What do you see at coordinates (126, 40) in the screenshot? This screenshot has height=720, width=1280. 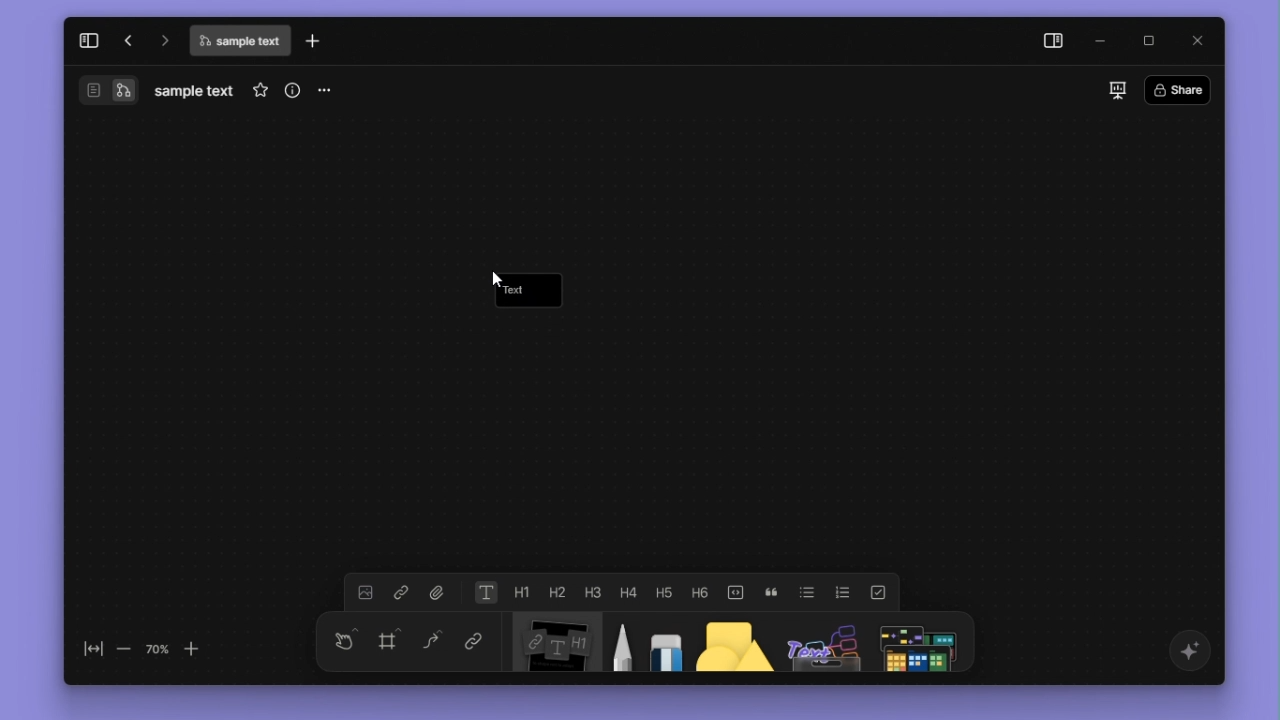 I see `go back` at bounding box center [126, 40].